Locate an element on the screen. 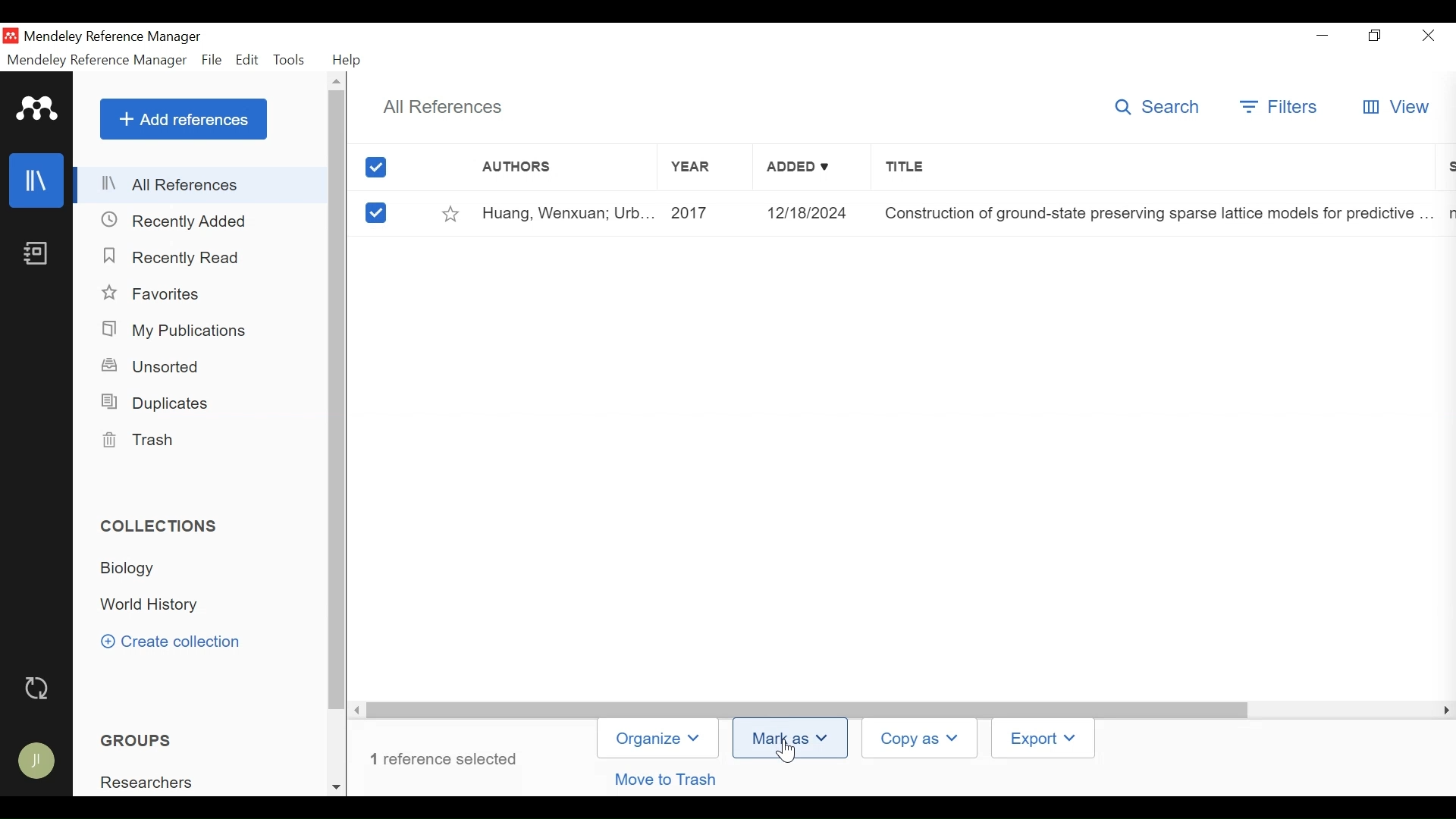  Cursor is located at coordinates (791, 751).